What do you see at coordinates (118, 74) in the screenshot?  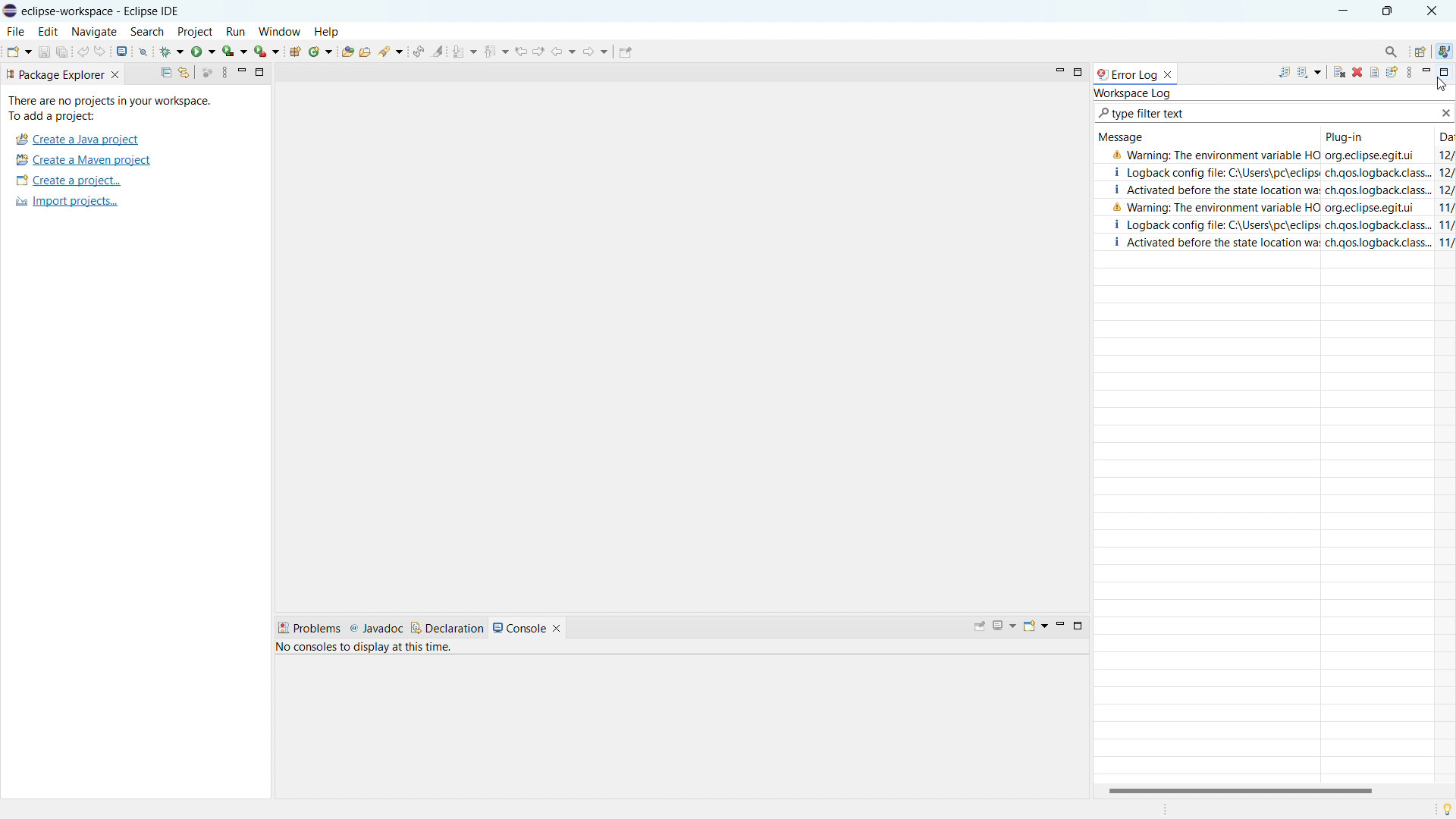 I see `close package explorer` at bounding box center [118, 74].